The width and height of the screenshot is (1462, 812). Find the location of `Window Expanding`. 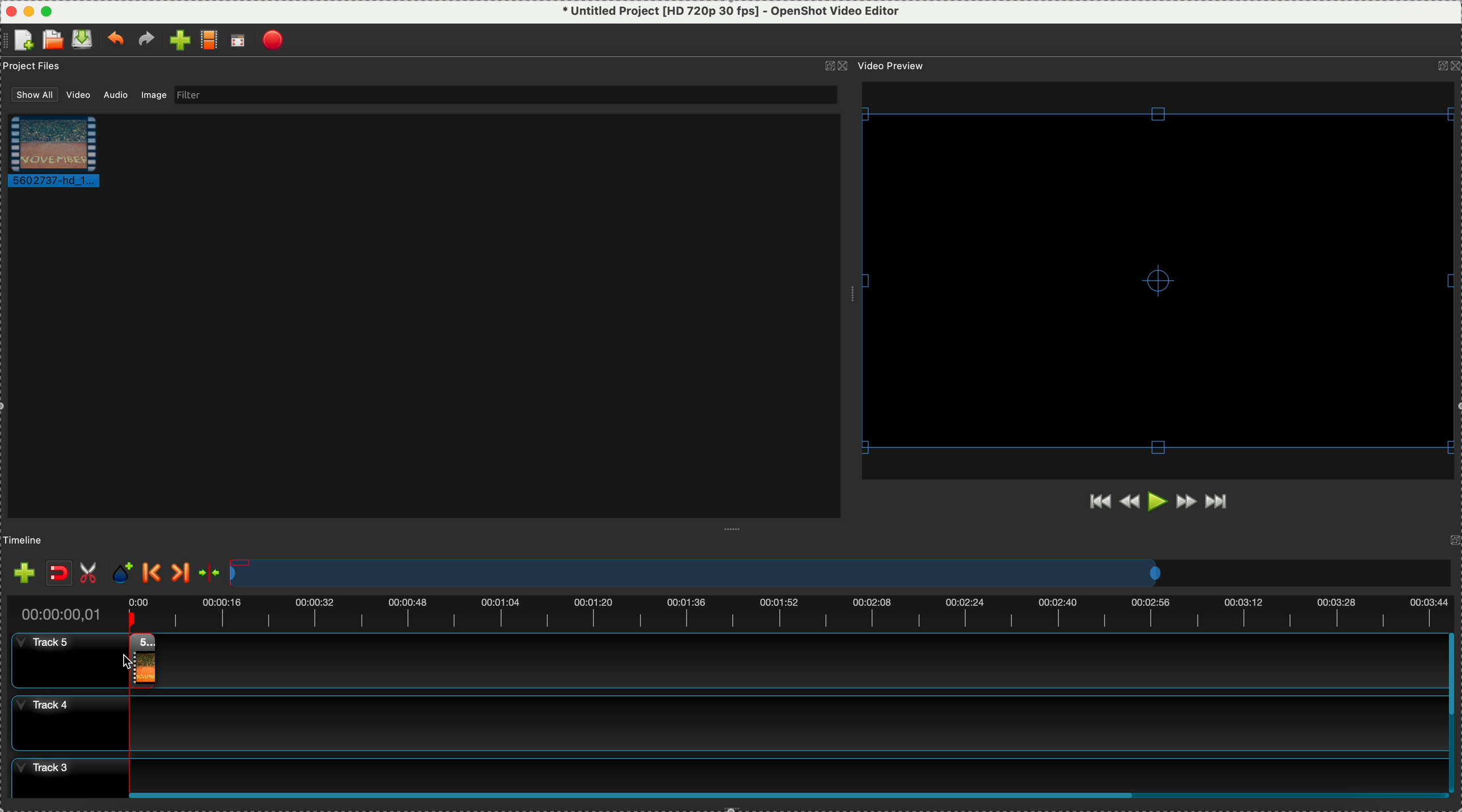

Window Expanding is located at coordinates (740, 531).